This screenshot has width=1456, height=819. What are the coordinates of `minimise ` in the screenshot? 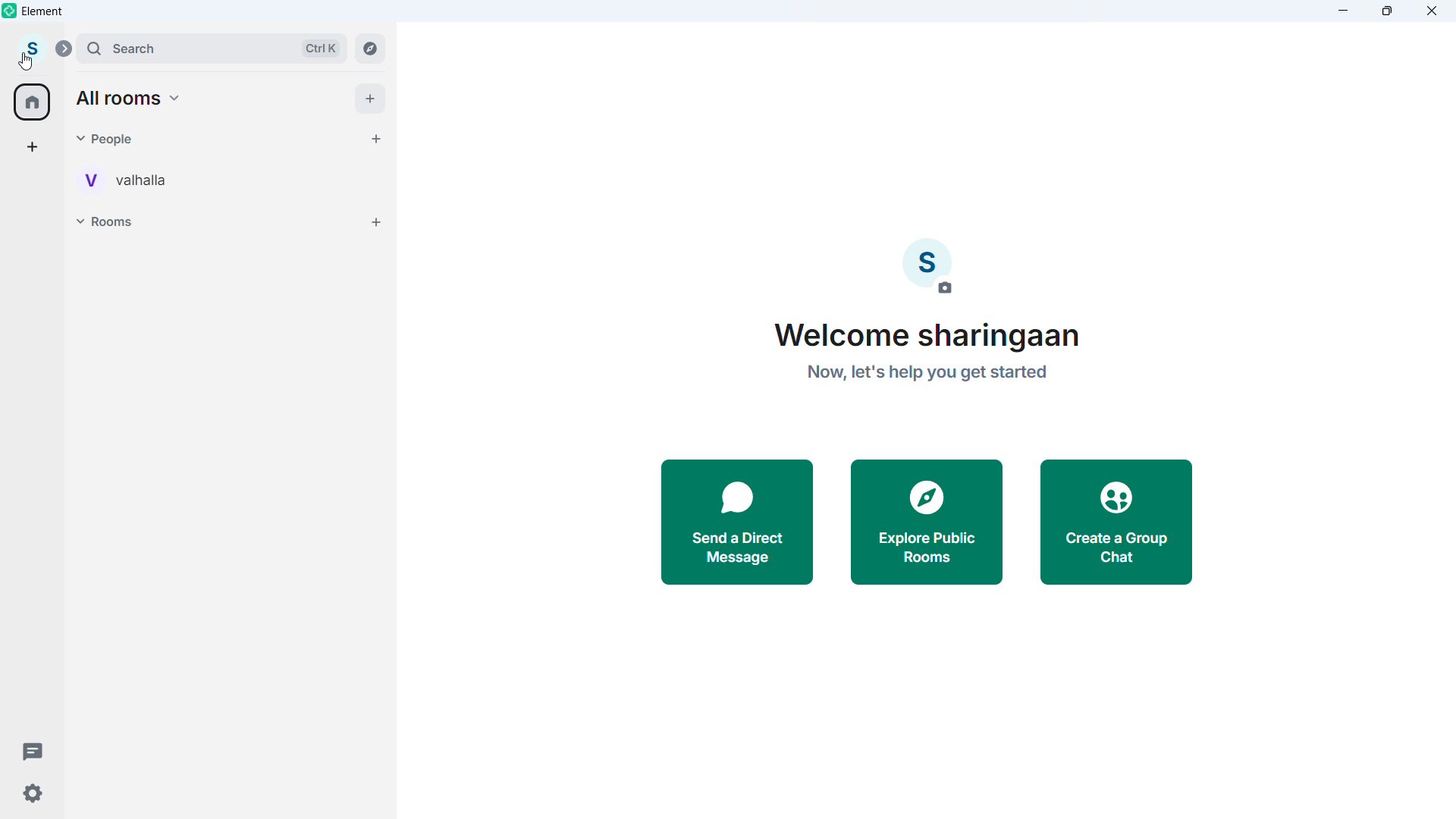 It's located at (1344, 11).